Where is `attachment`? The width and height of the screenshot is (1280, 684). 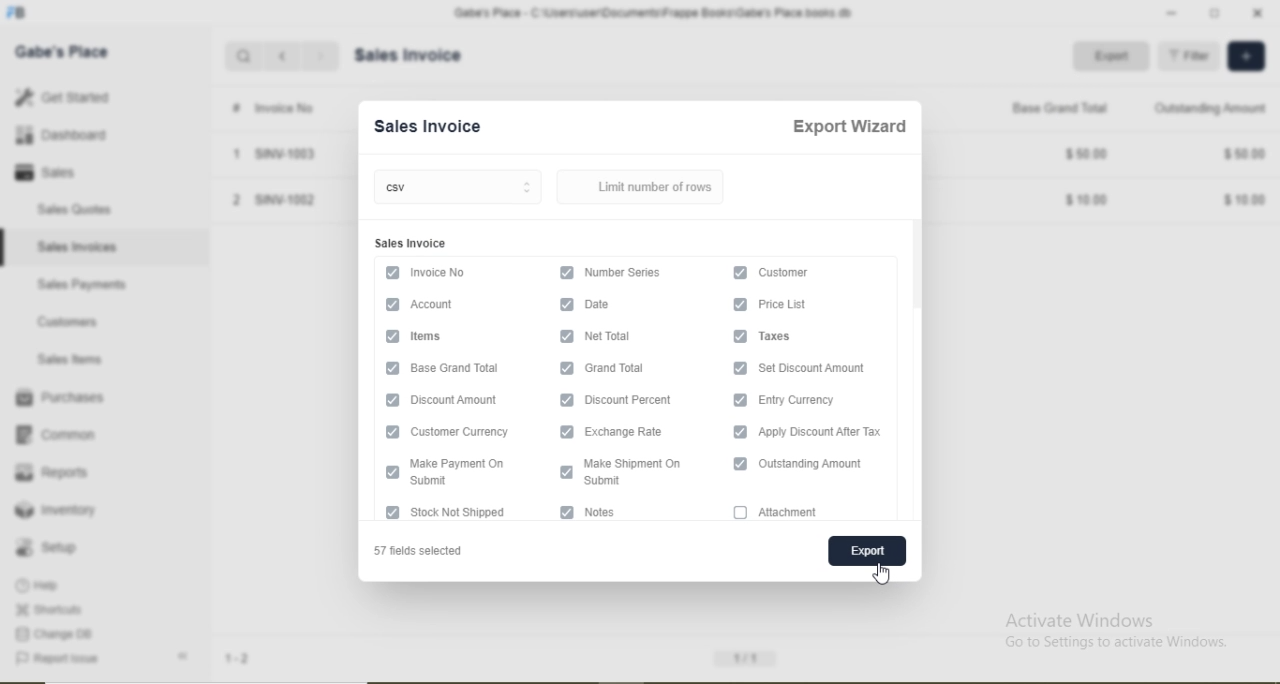 attachment is located at coordinates (799, 513).